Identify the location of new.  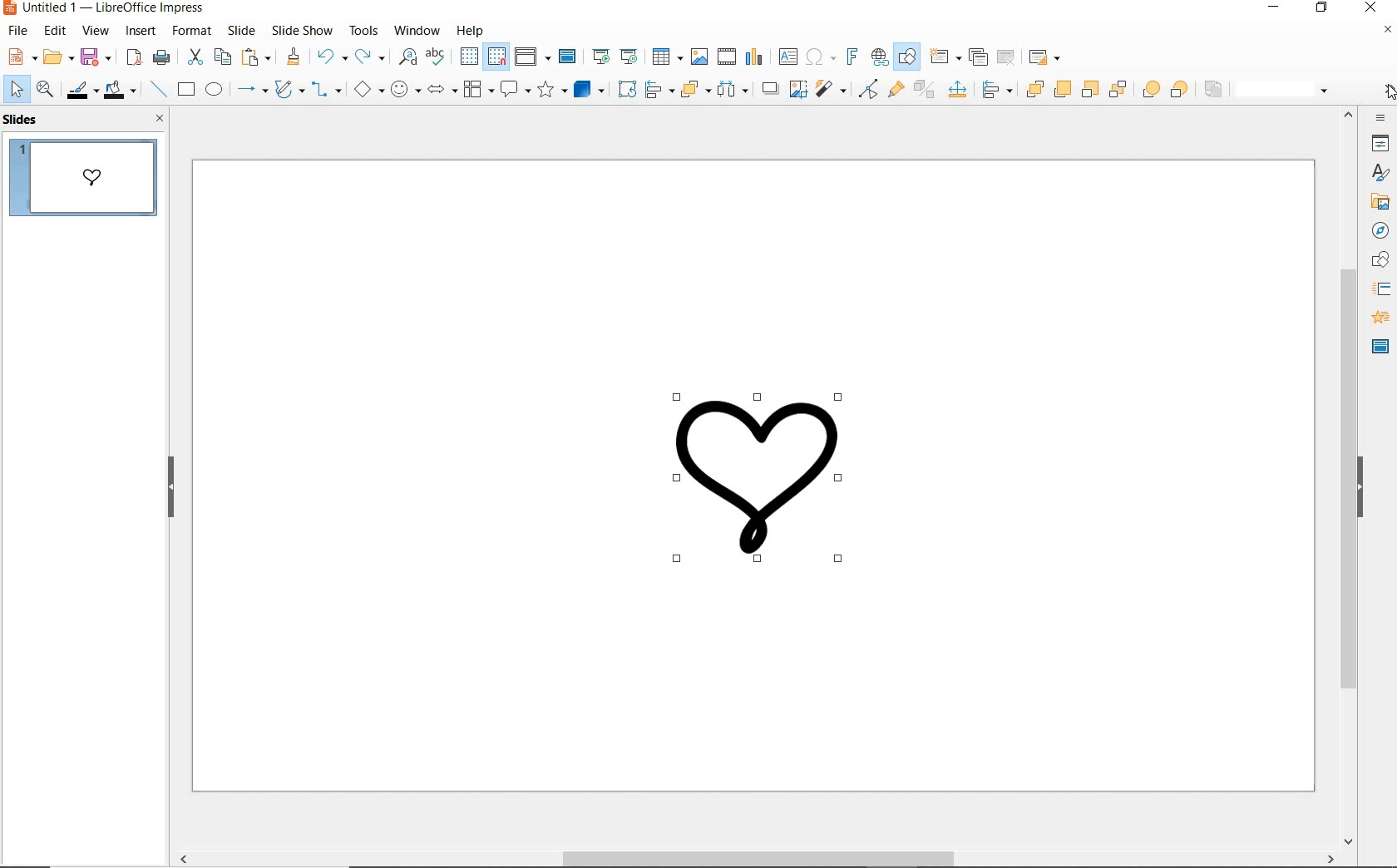
(19, 57).